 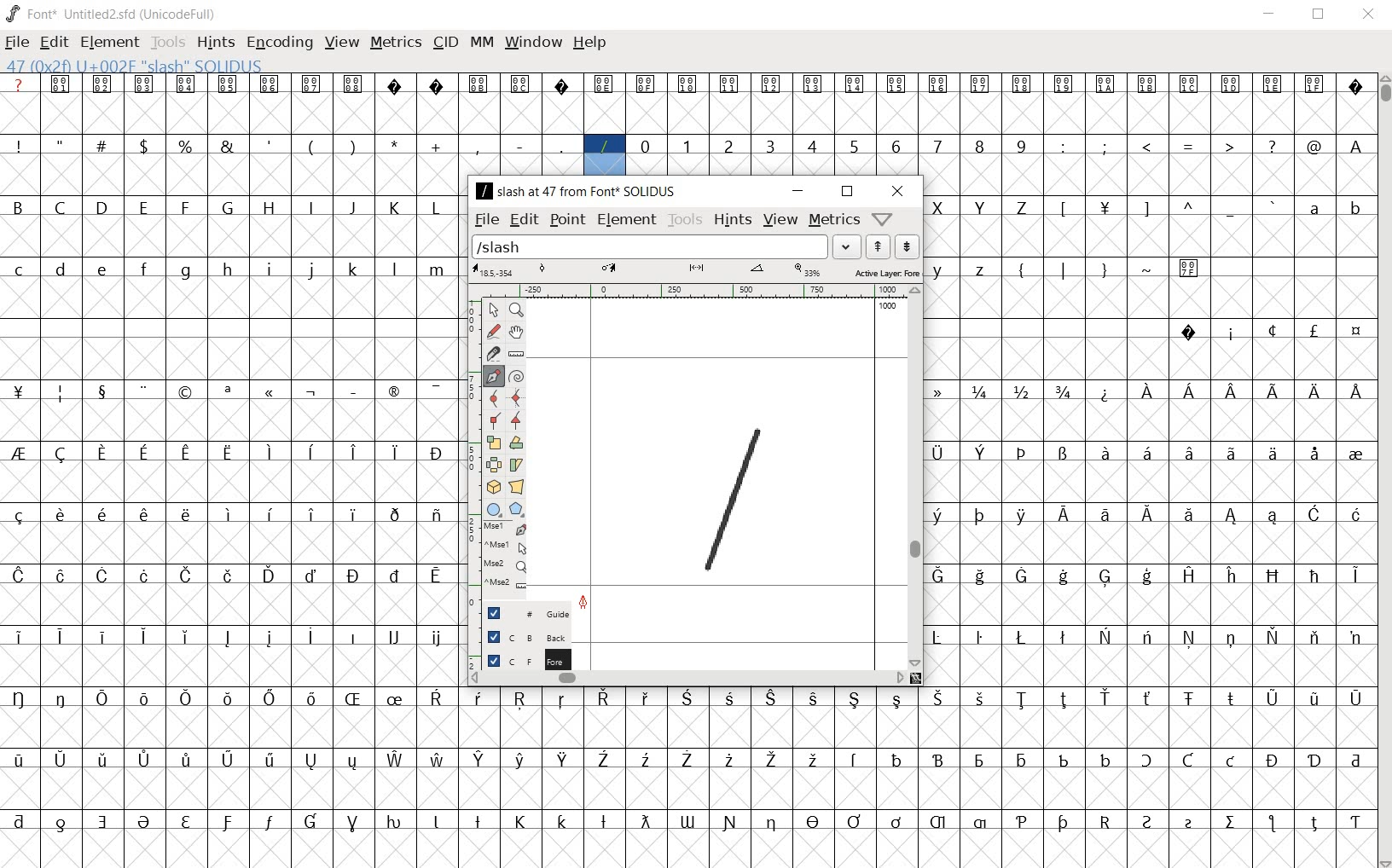 What do you see at coordinates (216, 43) in the screenshot?
I see `HINTS` at bounding box center [216, 43].